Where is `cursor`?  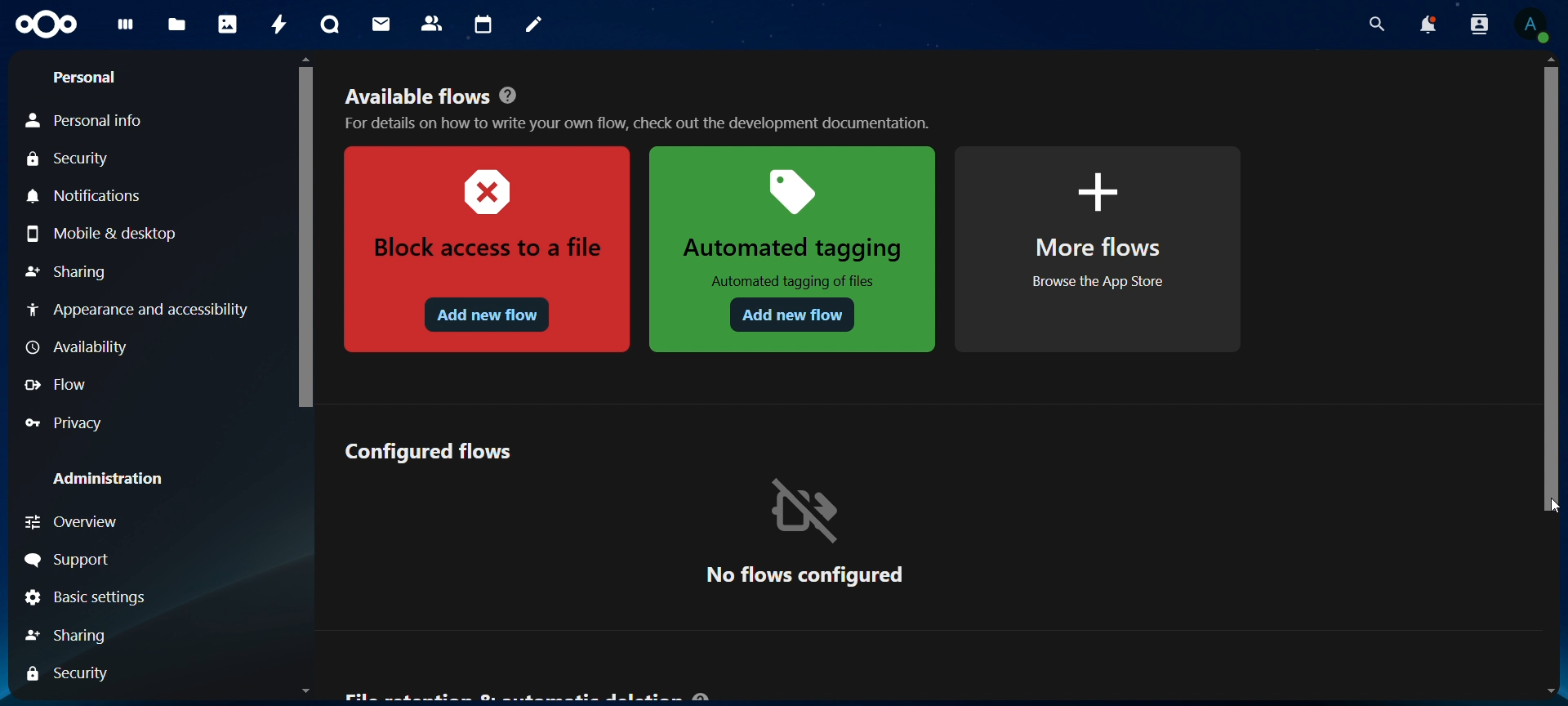
cursor is located at coordinates (1552, 504).